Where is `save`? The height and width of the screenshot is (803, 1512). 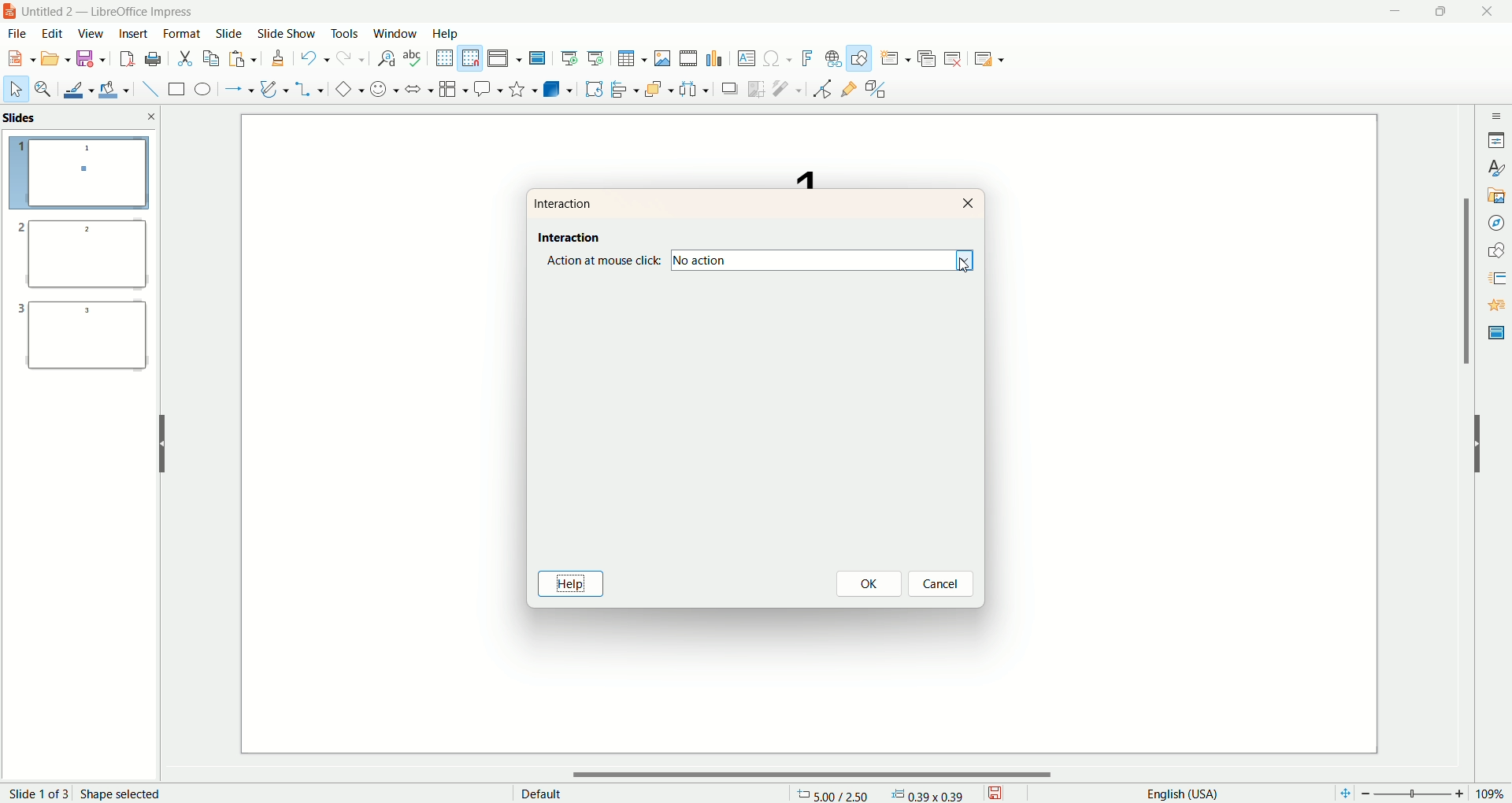
save is located at coordinates (91, 60).